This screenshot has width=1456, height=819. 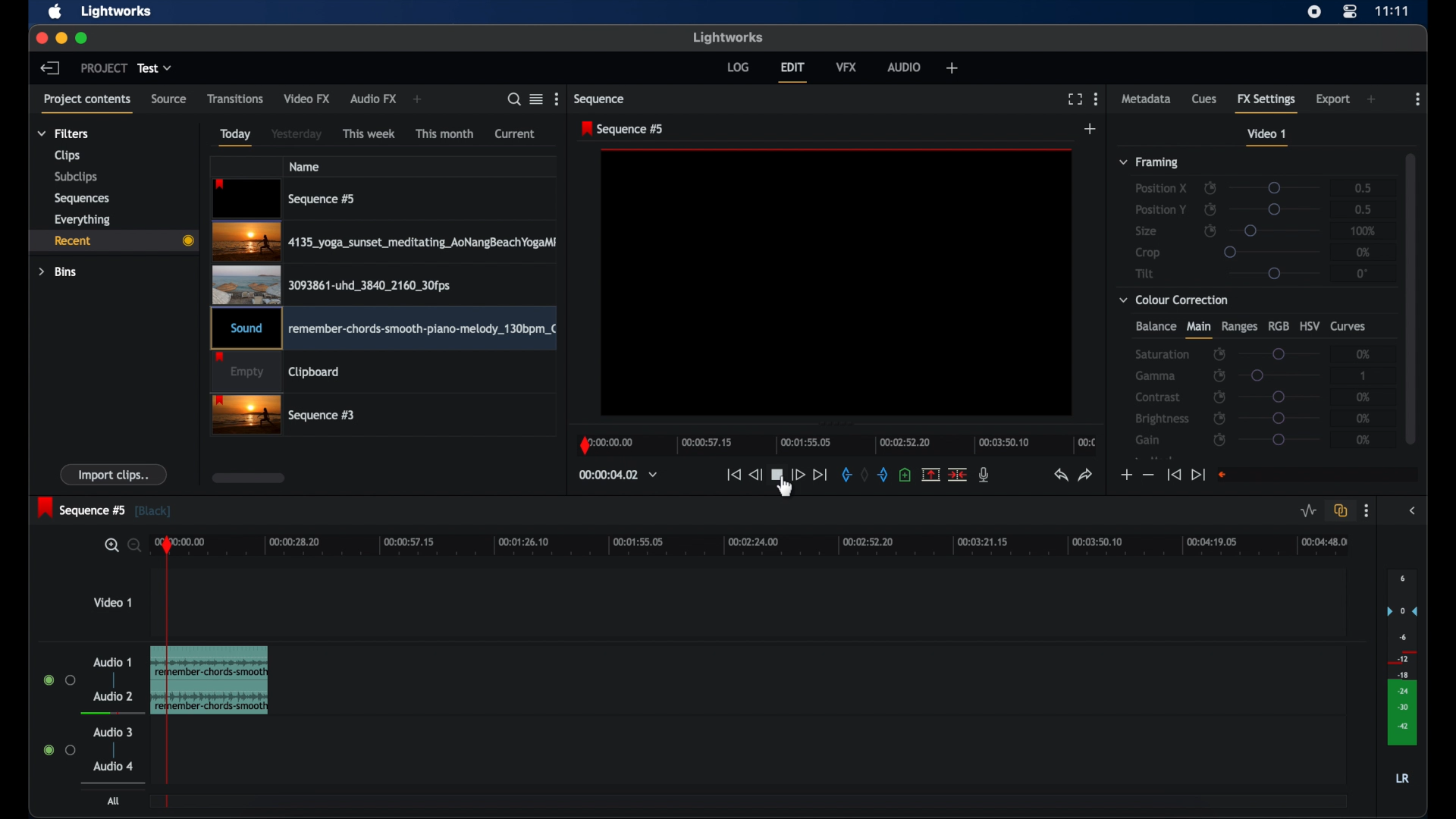 What do you see at coordinates (1279, 440) in the screenshot?
I see `slider` at bounding box center [1279, 440].